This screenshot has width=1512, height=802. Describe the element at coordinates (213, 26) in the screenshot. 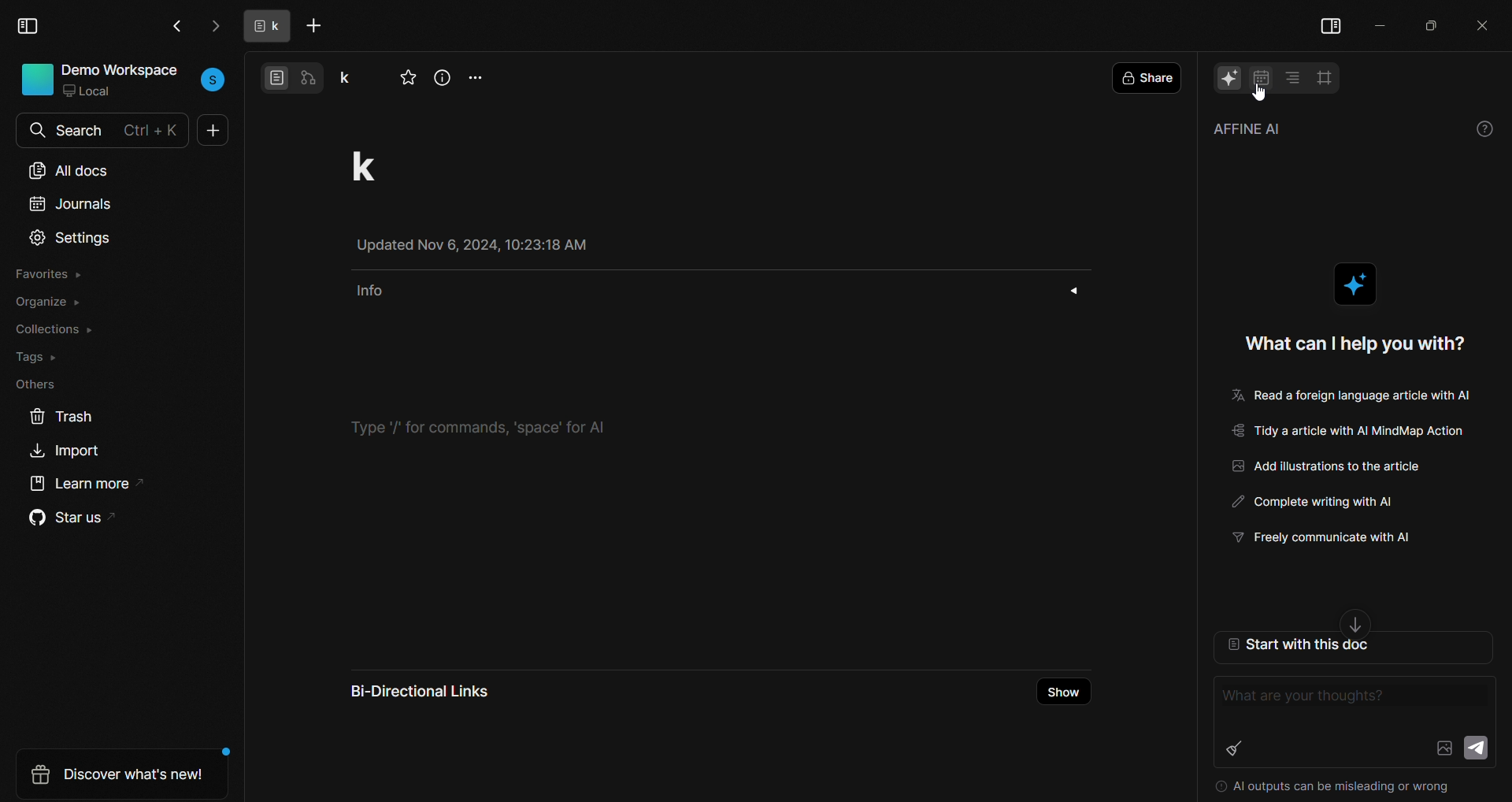

I see `go next` at that location.